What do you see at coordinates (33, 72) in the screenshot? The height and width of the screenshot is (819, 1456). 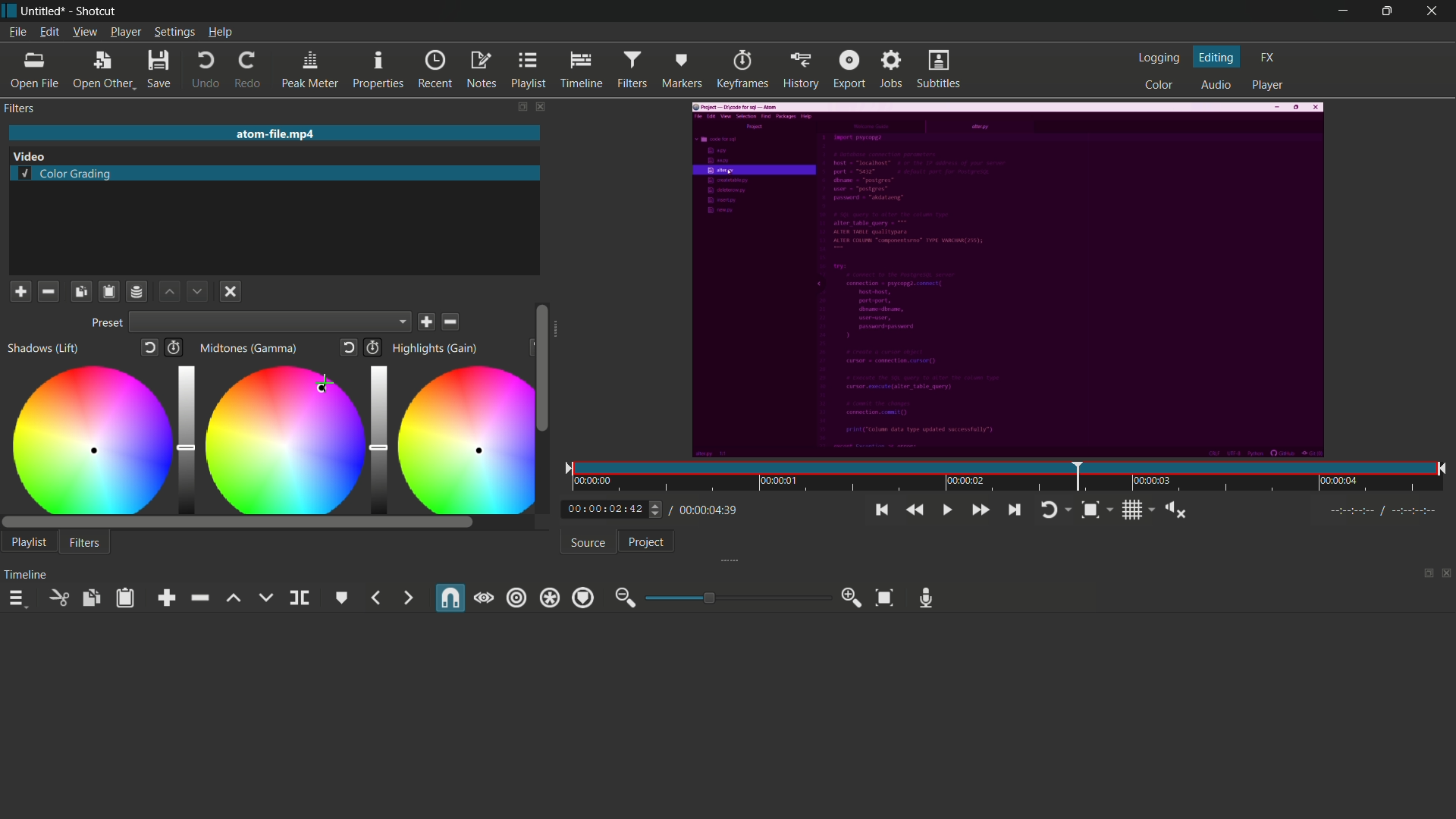 I see `open file` at bounding box center [33, 72].